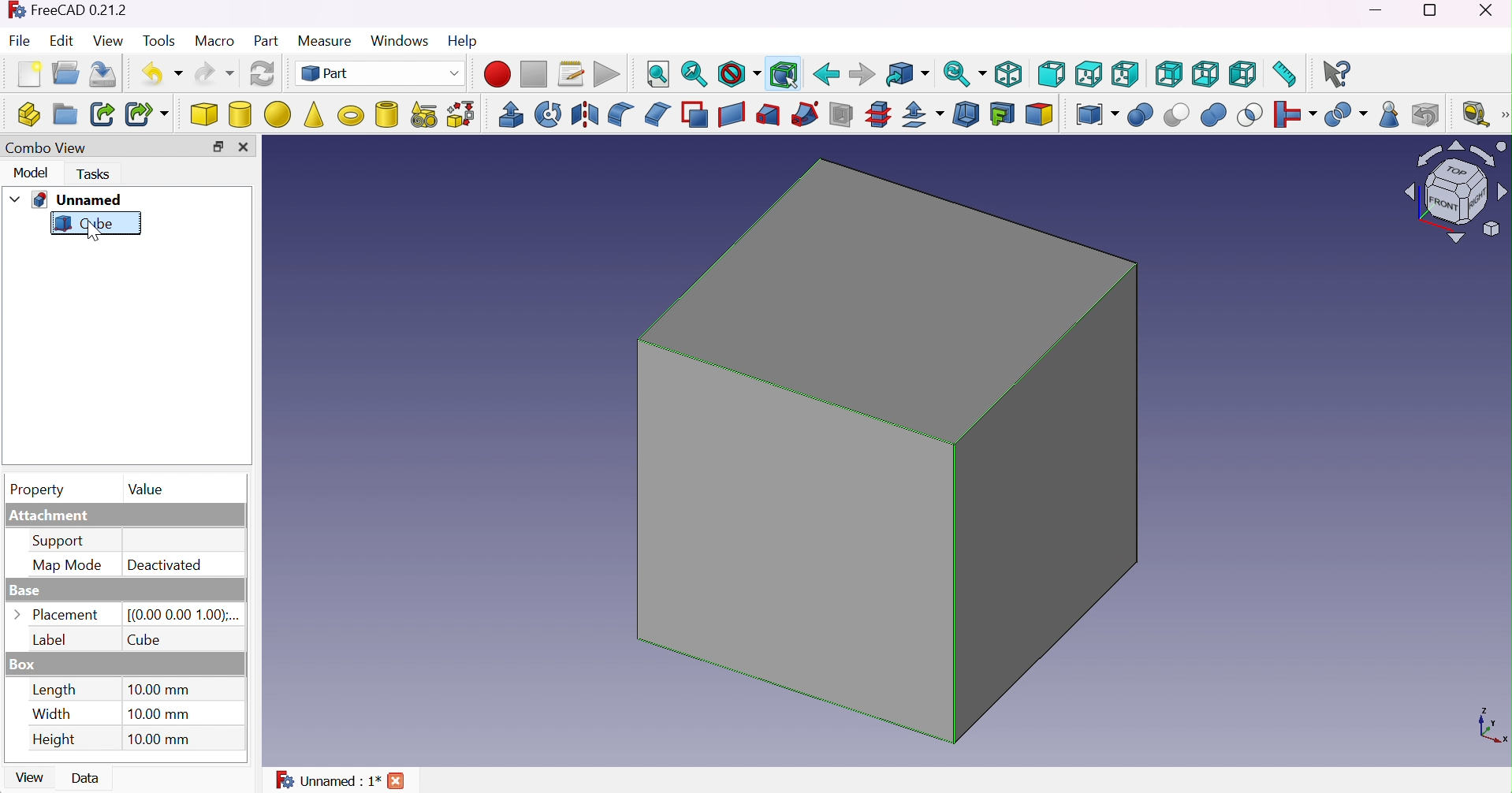 Image resolution: width=1512 pixels, height=793 pixels. What do you see at coordinates (1249, 115) in the screenshot?
I see `Intersection` at bounding box center [1249, 115].